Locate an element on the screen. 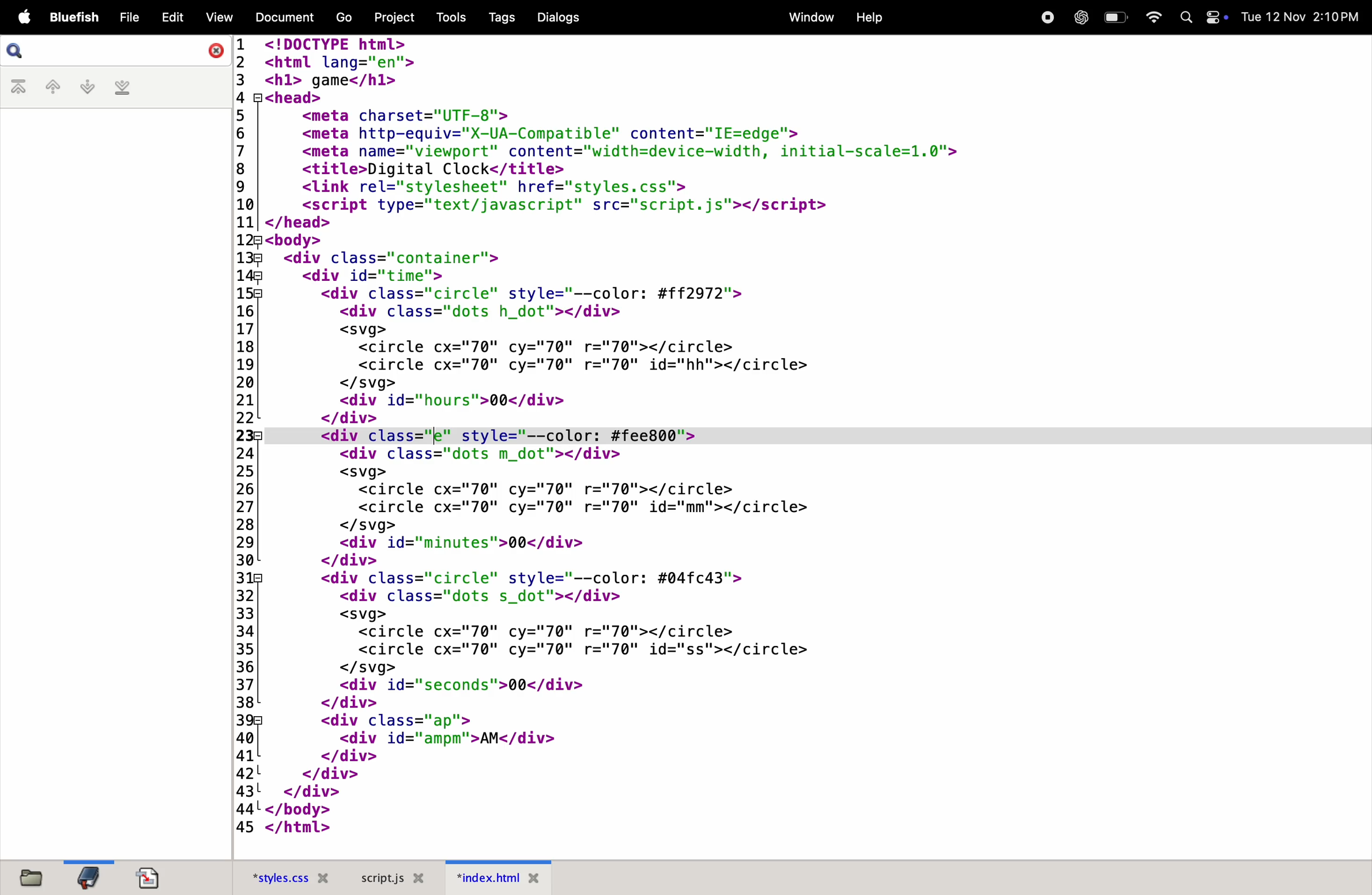 The image size is (1372, 895). edit is located at coordinates (172, 16).